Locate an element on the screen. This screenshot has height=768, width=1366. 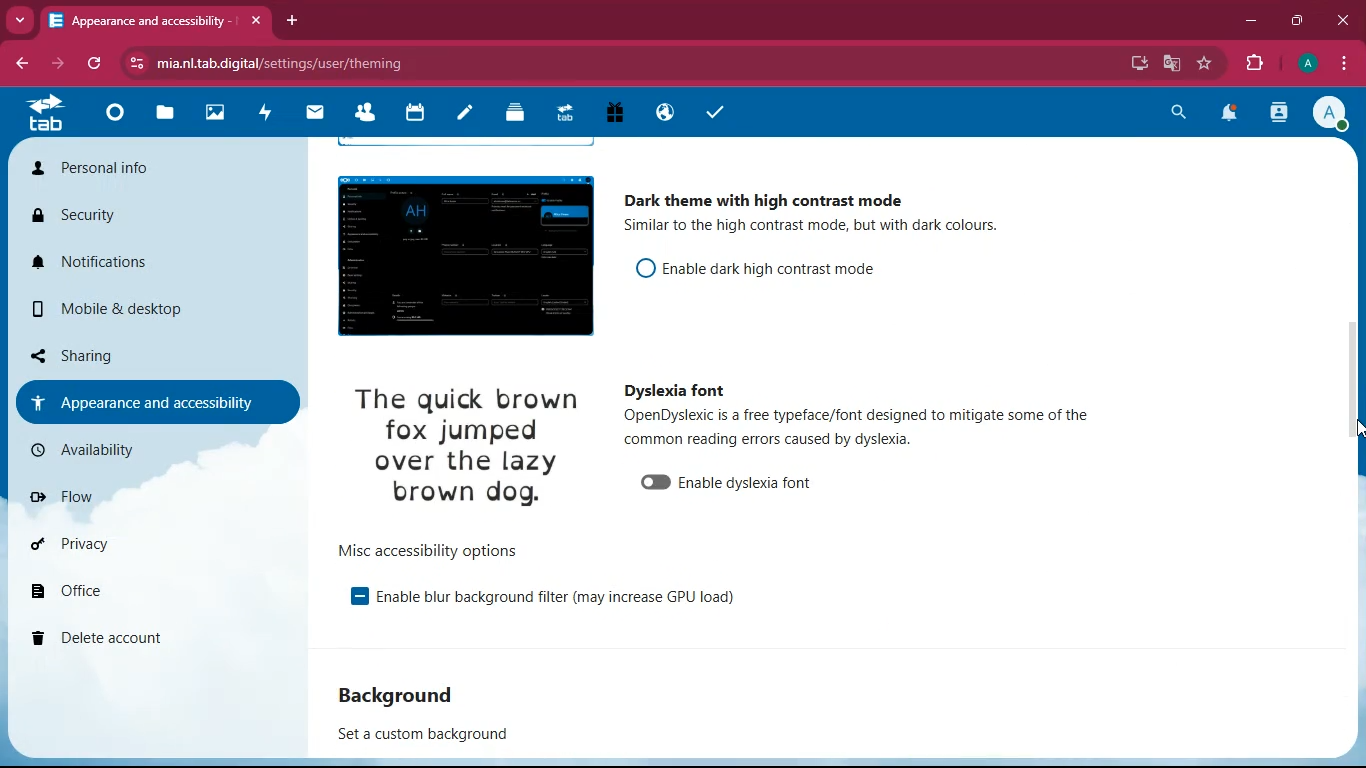
cursor is located at coordinates (1355, 432).